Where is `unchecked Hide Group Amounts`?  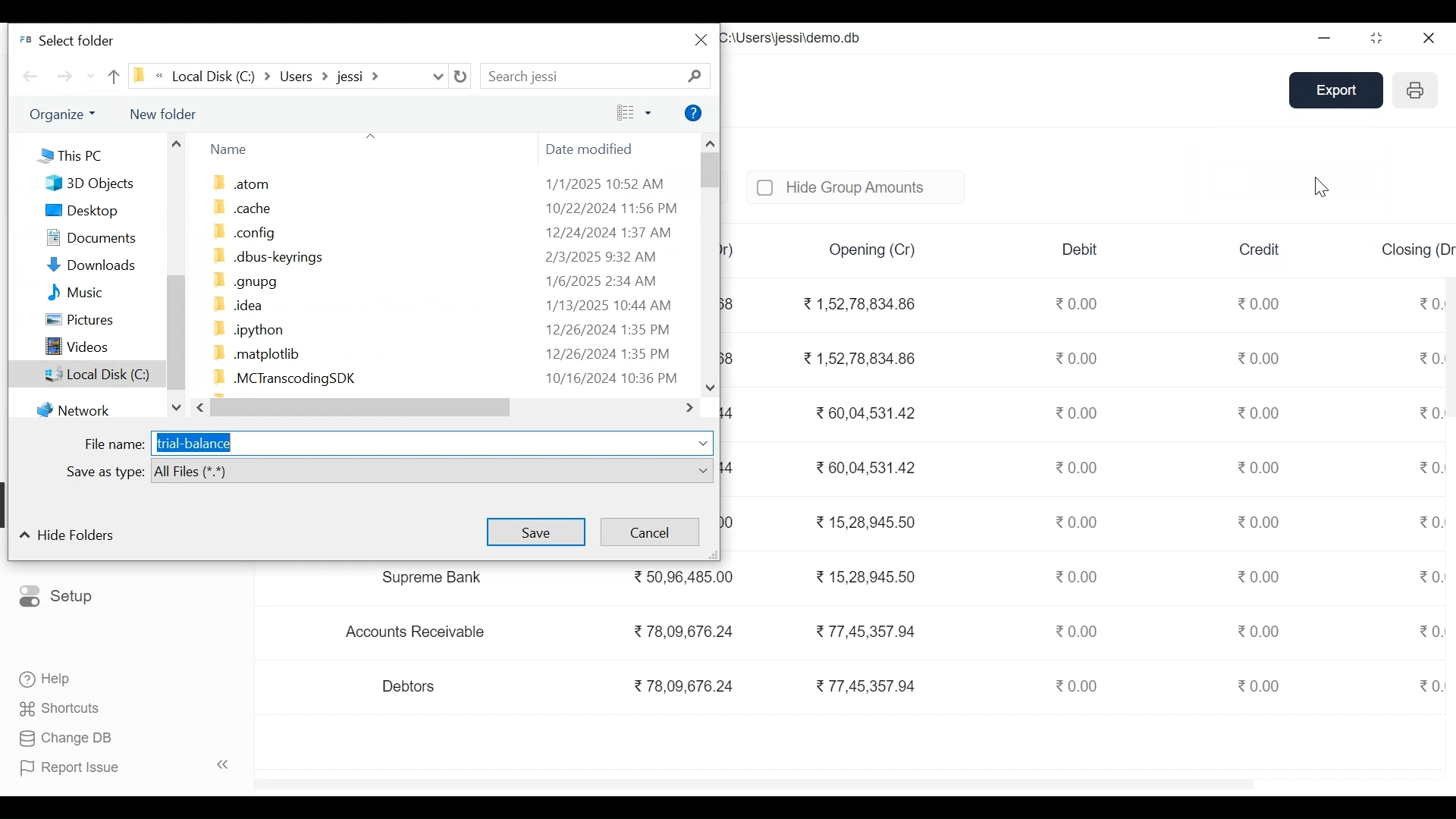 unchecked Hide Group Amounts is located at coordinates (852, 187).